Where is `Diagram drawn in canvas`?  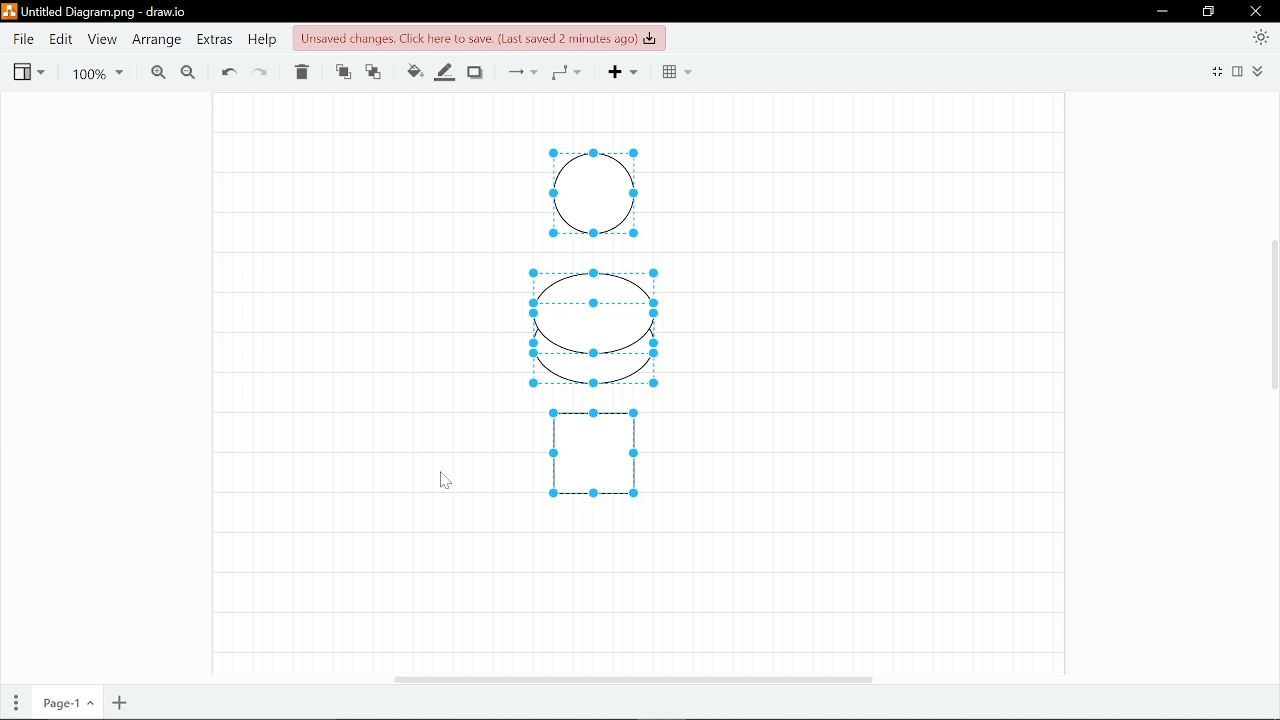
Diagram drawn in canvas is located at coordinates (602, 332).